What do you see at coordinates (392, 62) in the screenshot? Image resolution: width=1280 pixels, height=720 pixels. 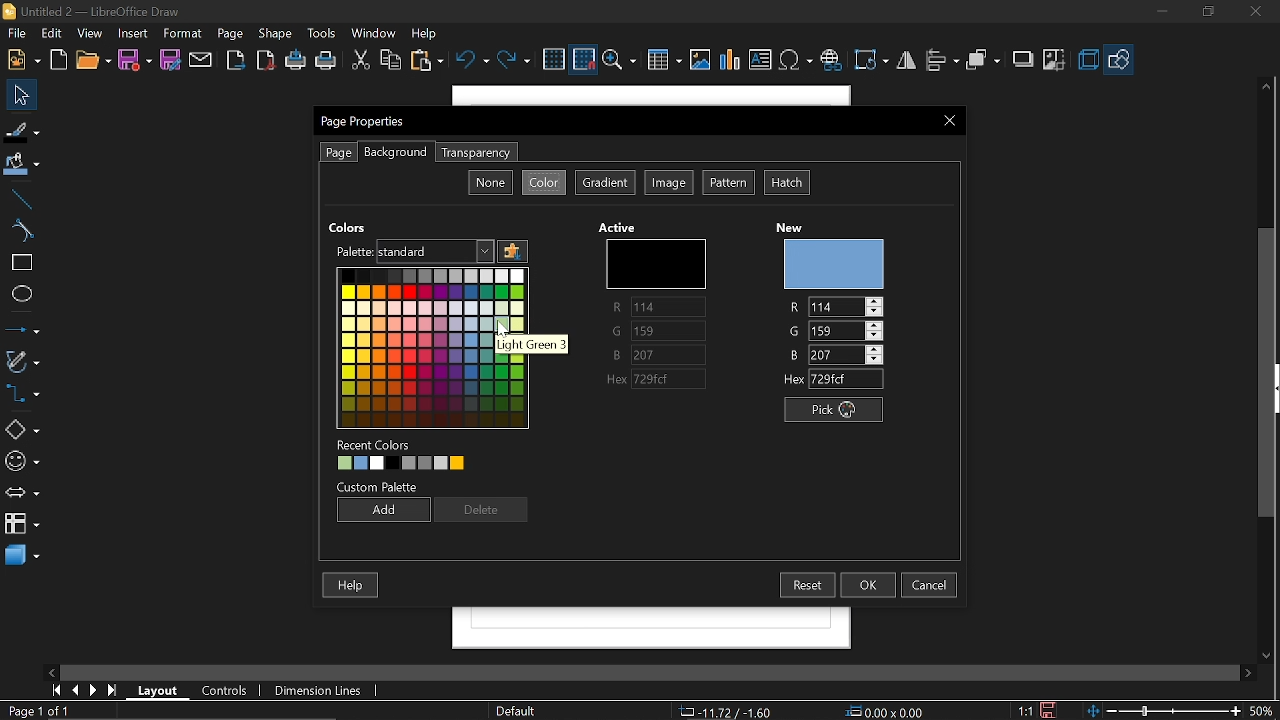 I see `Copy` at bounding box center [392, 62].